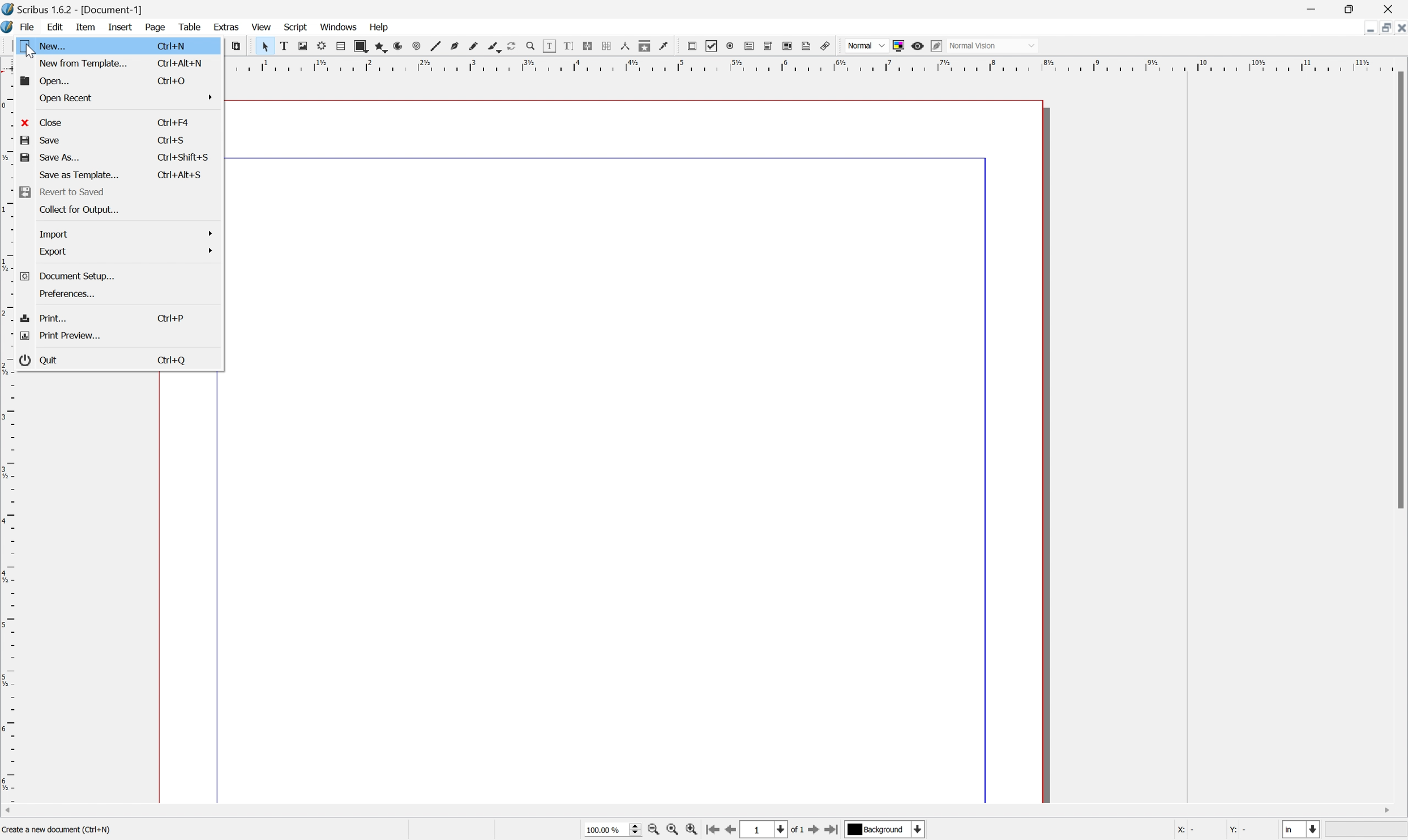 The height and width of the screenshot is (840, 1408). What do you see at coordinates (38, 81) in the screenshot?
I see `open` at bounding box center [38, 81].